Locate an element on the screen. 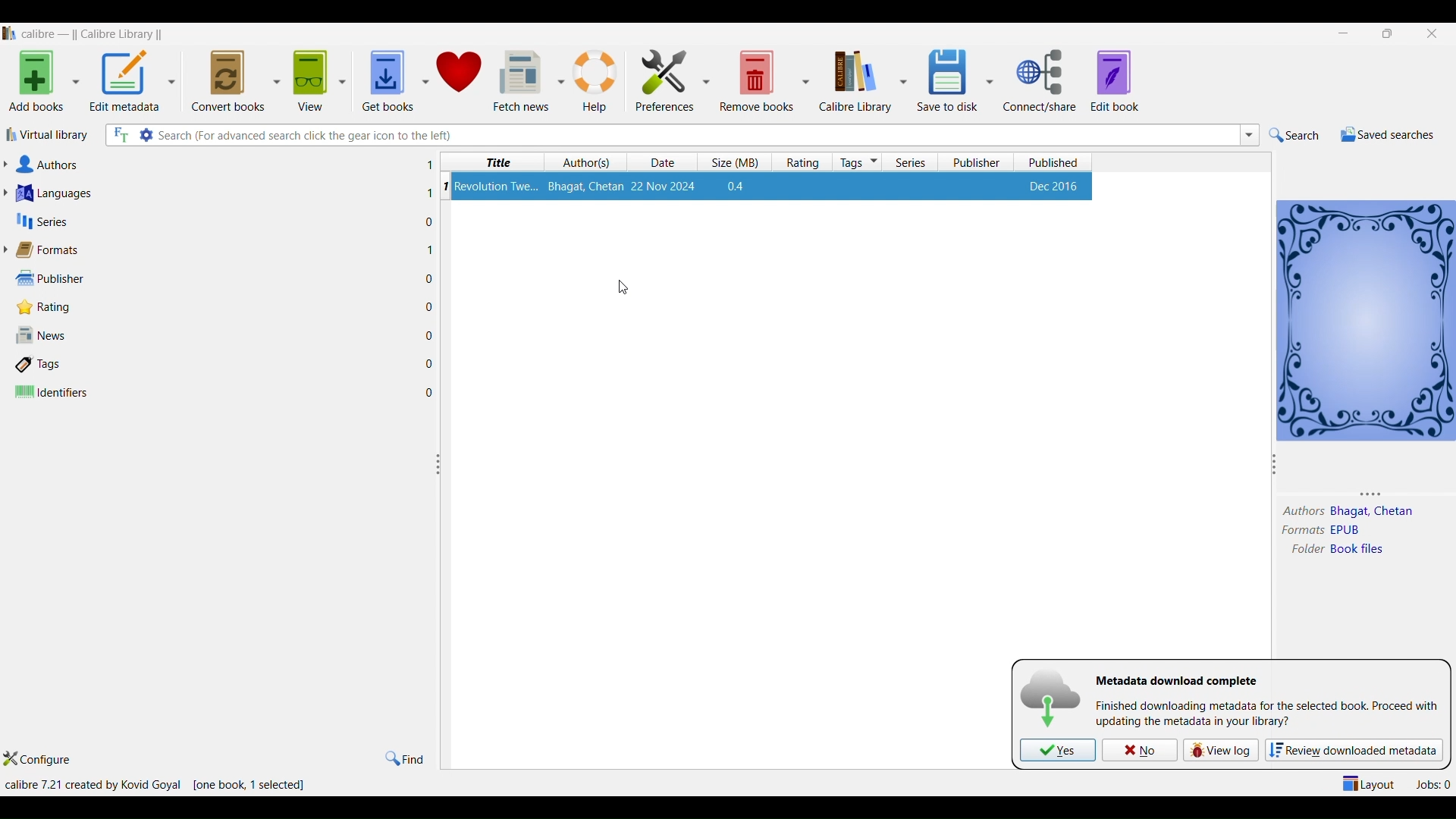 The height and width of the screenshot is (819, 1456). no for updating metadata in library is located at coordinates (1140, 749).